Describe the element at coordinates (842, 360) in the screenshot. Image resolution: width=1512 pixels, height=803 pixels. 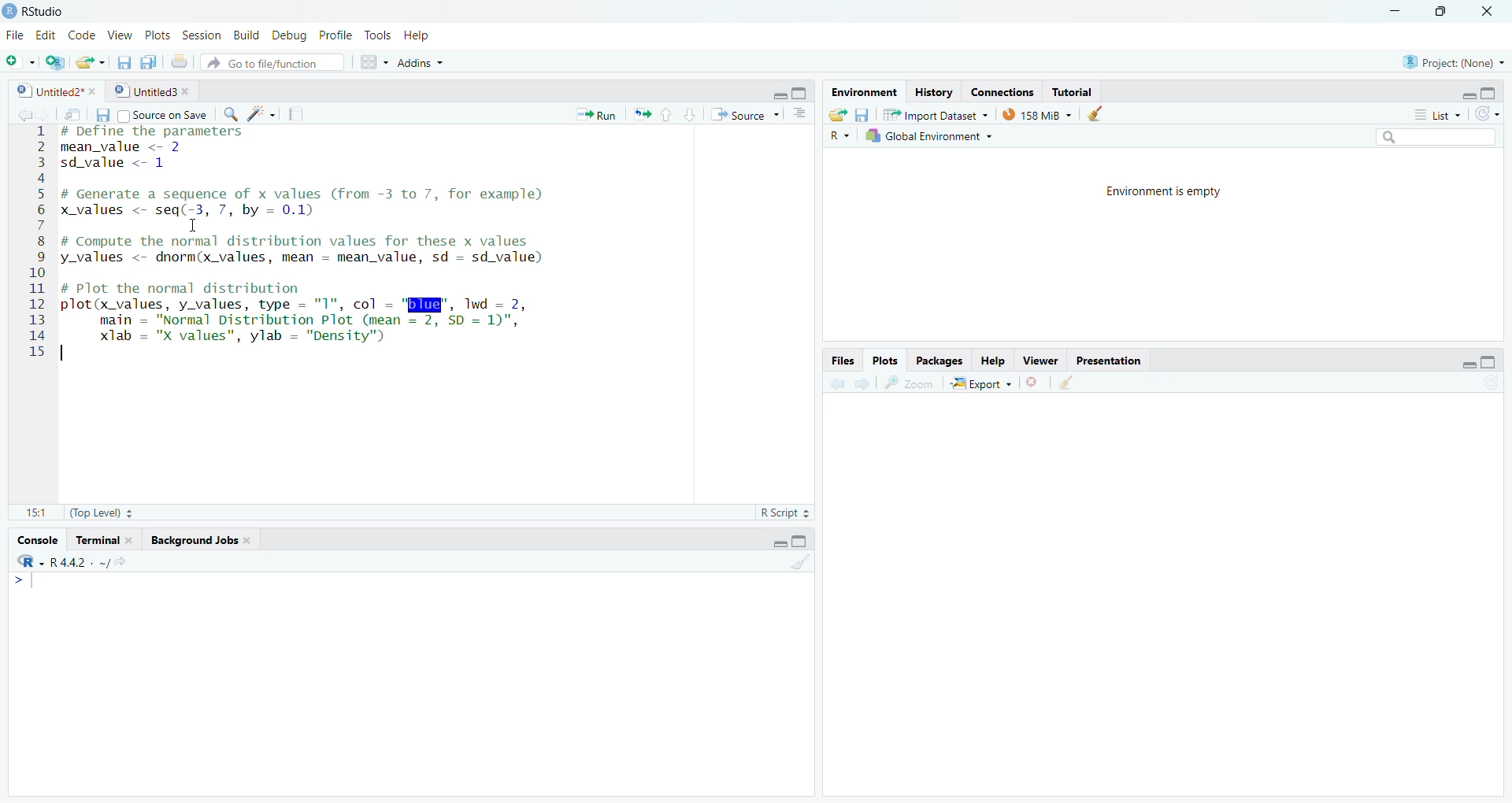
I see `Files` at that location.